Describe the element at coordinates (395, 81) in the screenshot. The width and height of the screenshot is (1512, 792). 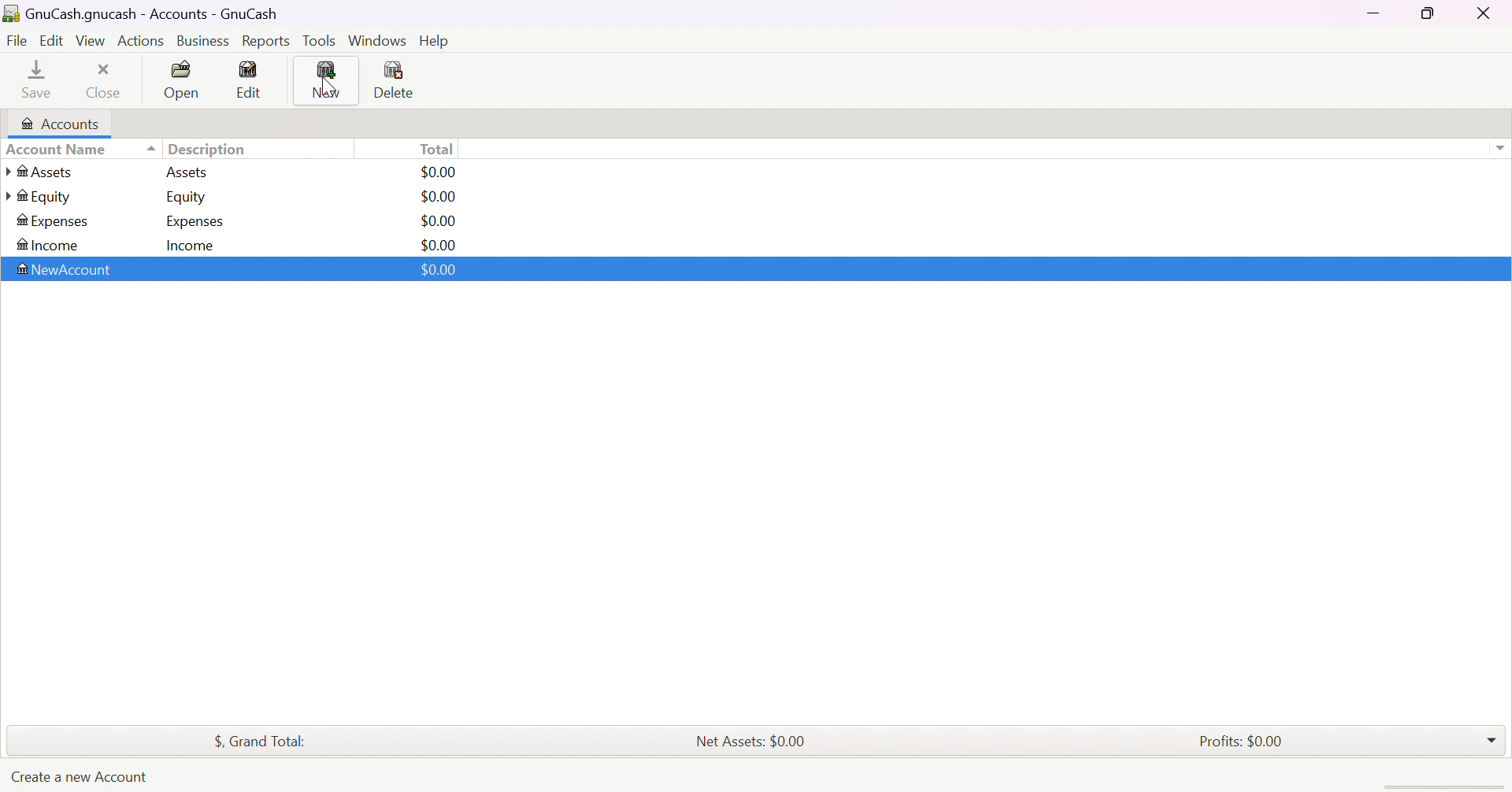
I see `Delete` at that location.